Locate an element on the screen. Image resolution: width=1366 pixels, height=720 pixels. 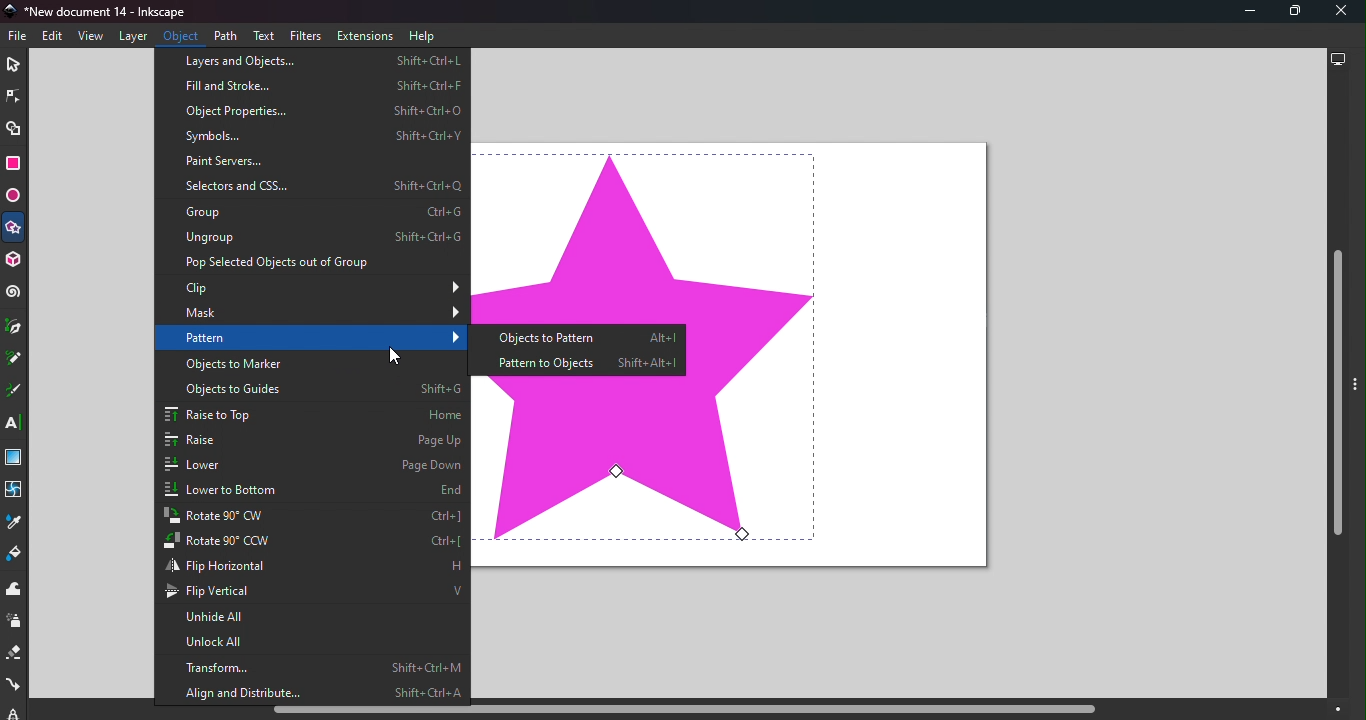
Fill and stroke is located at coordinates (324, 84).